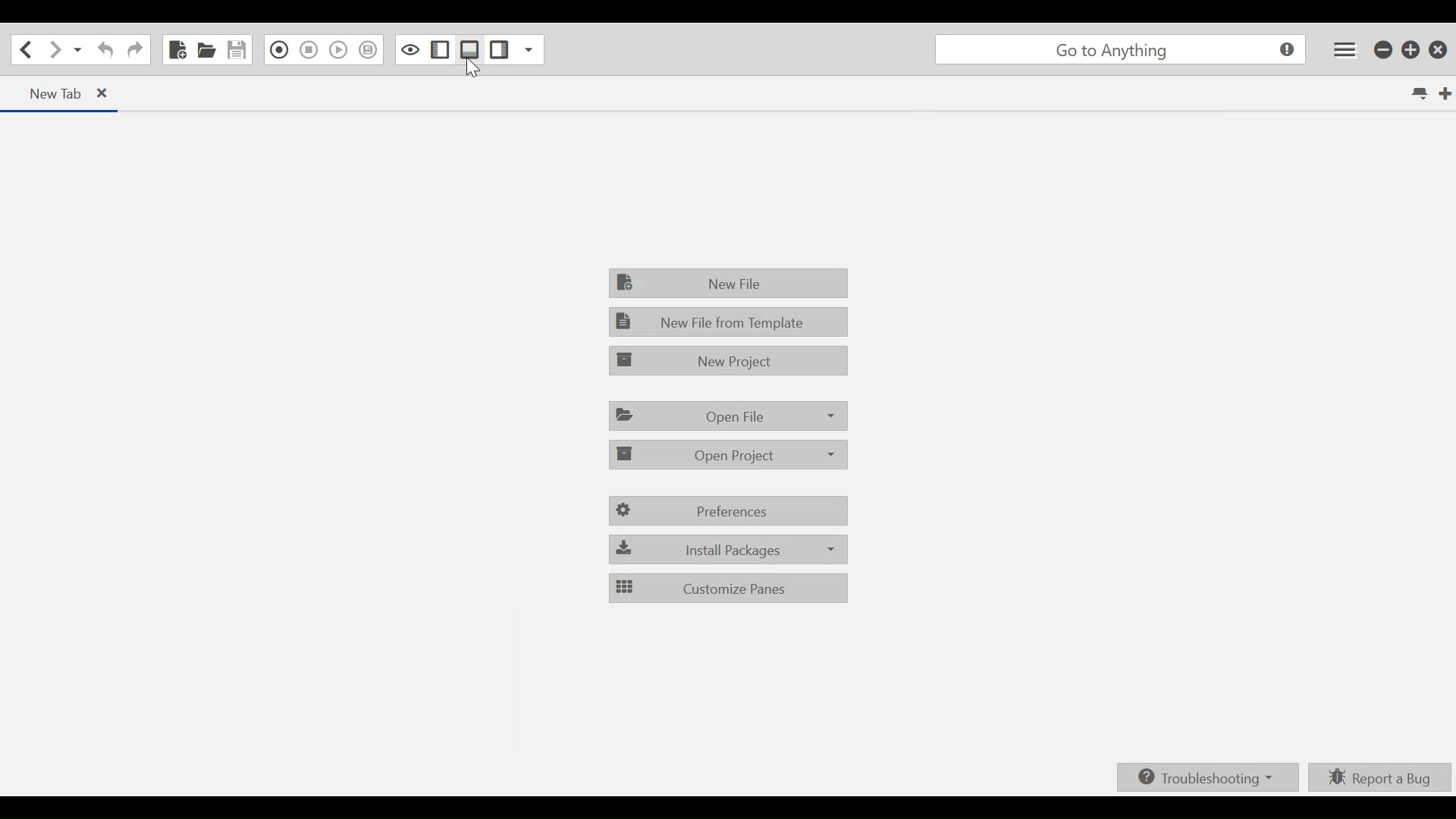 Image resolution: width=1456 pixels, height=819 pixels. Describe the element at coordinates (726, 511) in the screenshot. I see `Preferences` at that location.